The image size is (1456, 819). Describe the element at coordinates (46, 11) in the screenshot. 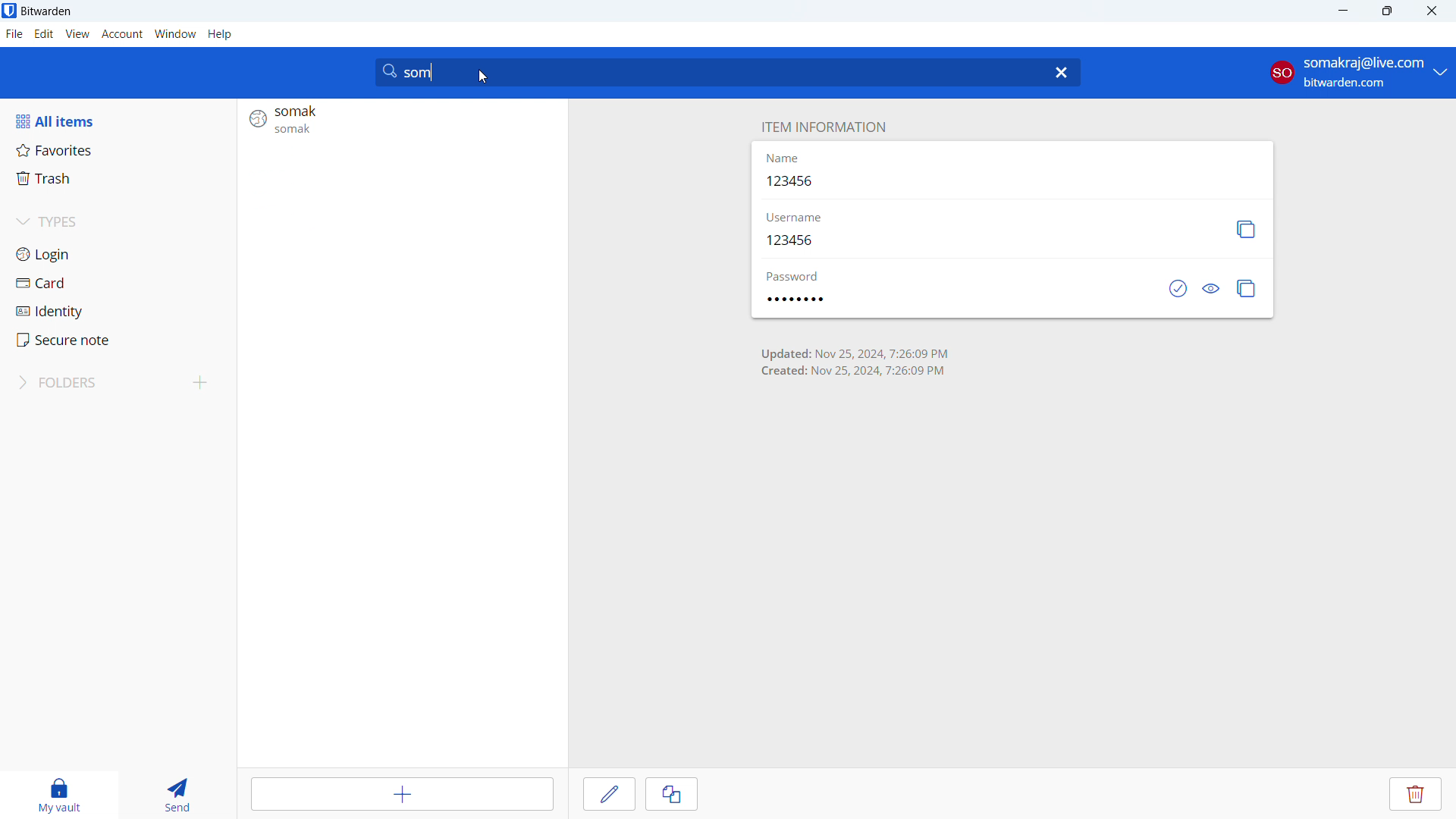

I see `title` at that location.